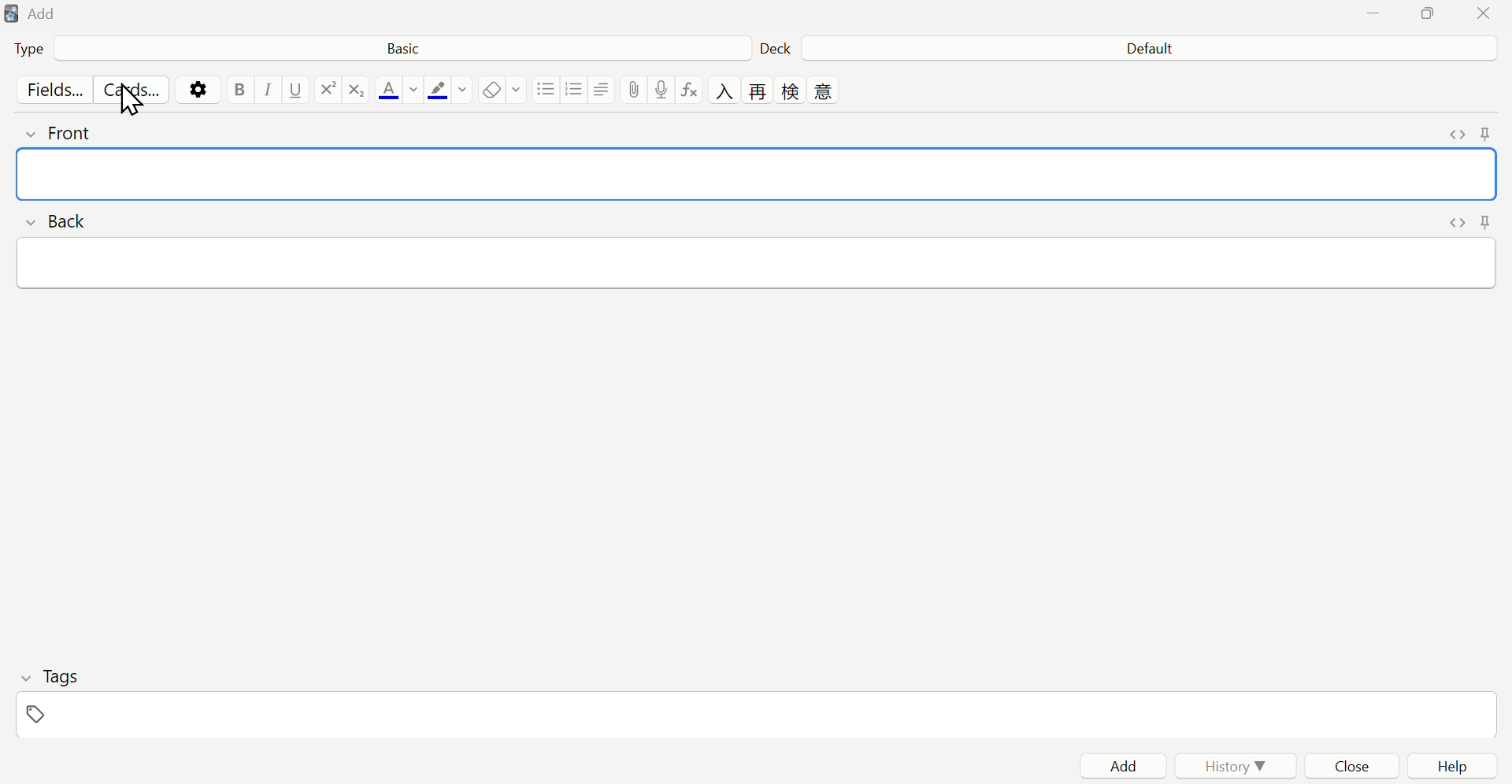  Describe the element at coordinates (199, 87) in the screenshot. I see `Settings` at that location.